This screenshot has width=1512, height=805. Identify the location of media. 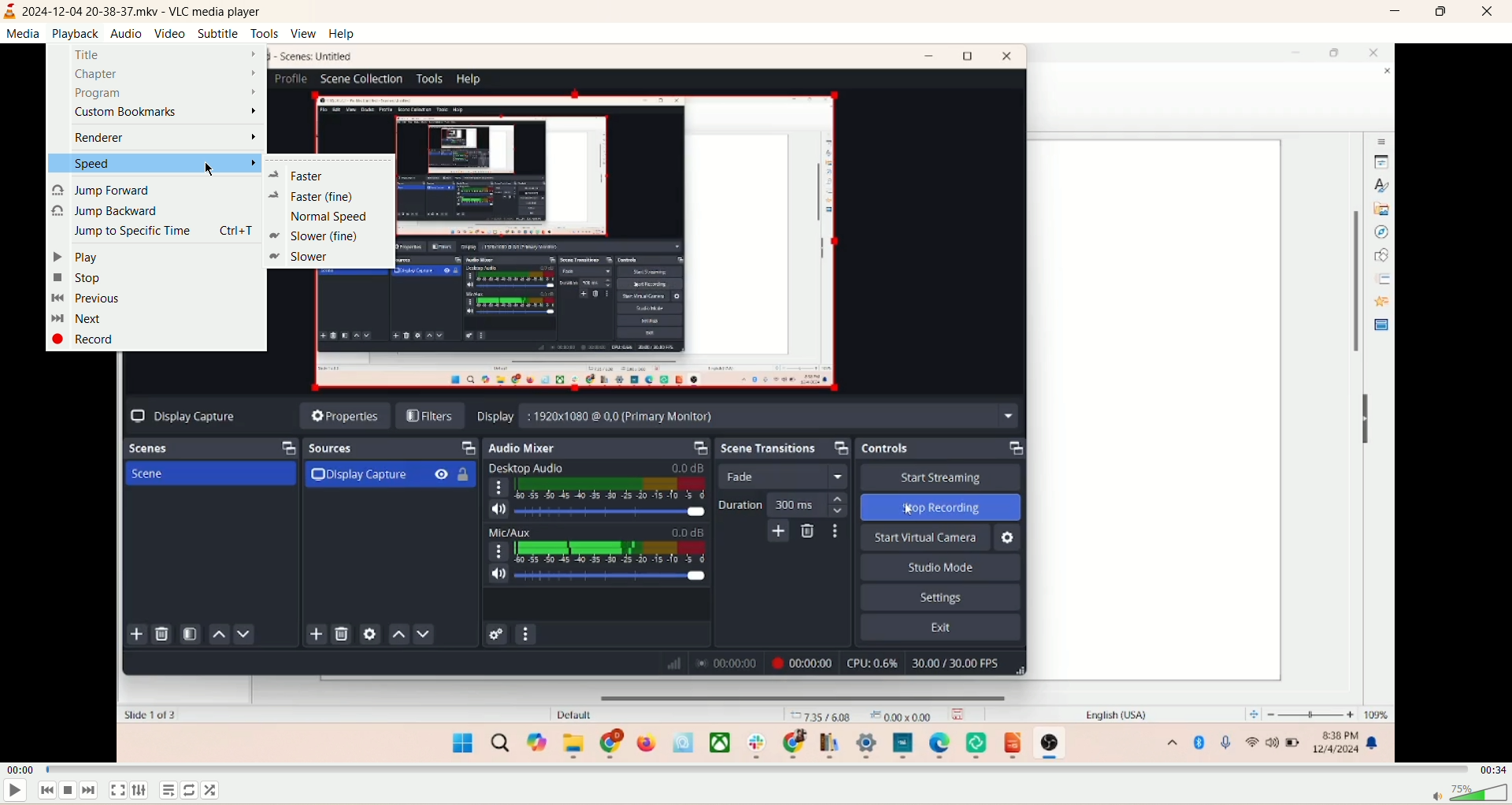
(26, 35).